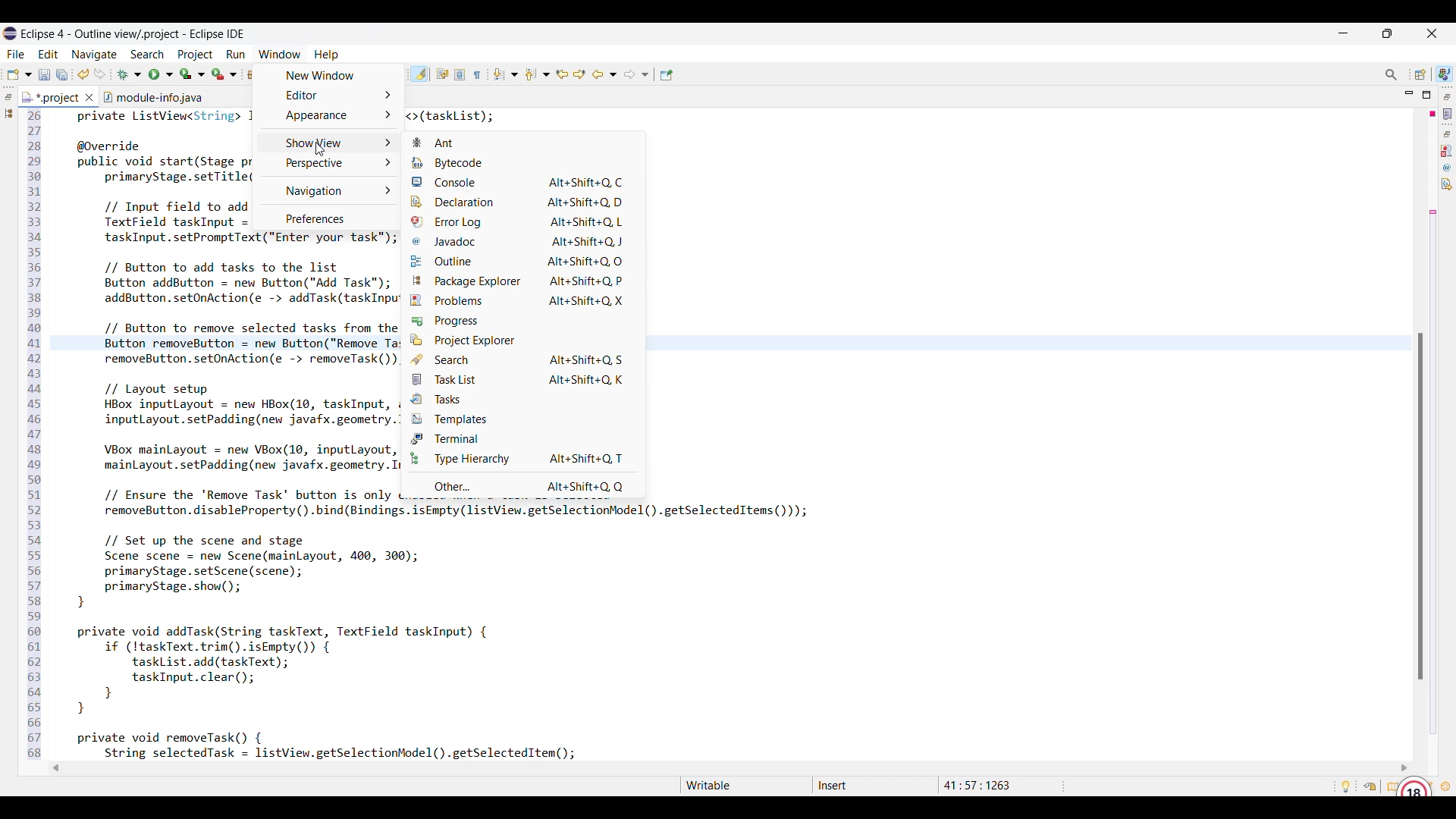  Describe the element at coordinates (100, 74) in the screenshot. I see `Redo` at that location.